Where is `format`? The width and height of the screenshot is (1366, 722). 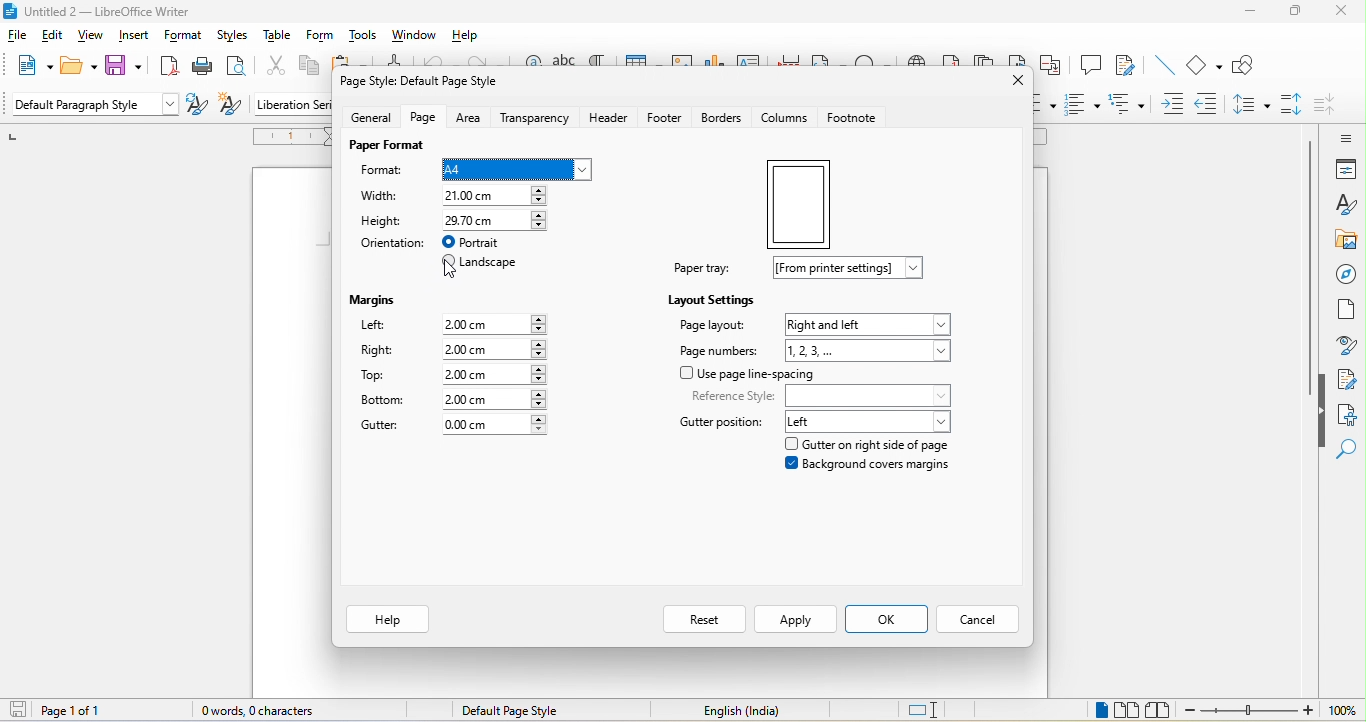 format is located at coordinates (182, 37).